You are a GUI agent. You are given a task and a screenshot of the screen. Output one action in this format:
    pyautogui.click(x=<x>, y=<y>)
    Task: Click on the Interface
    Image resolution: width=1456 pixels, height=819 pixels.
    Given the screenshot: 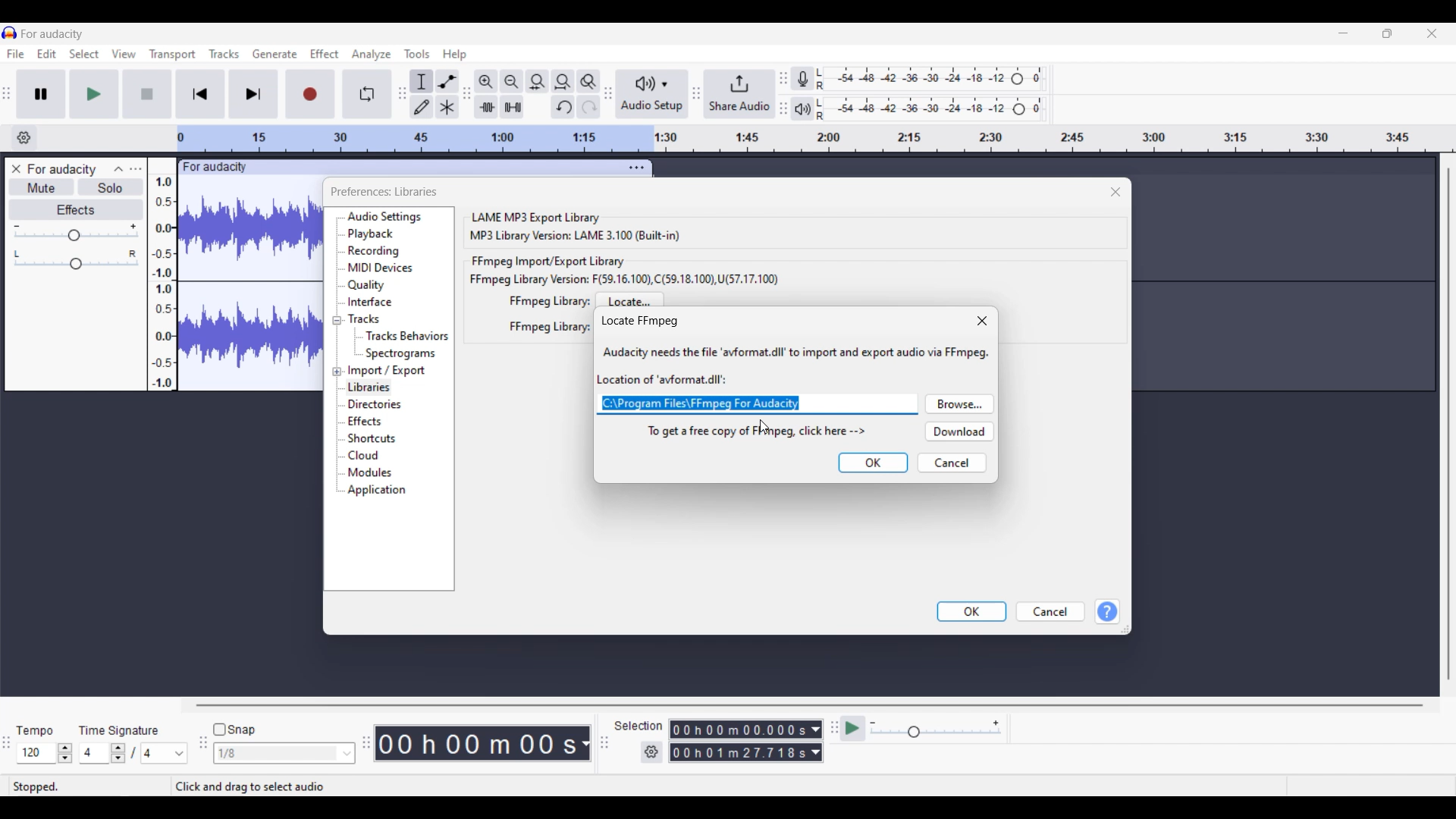 What is the action you would take?
    pyautogui.click(x=370, y=302)
    